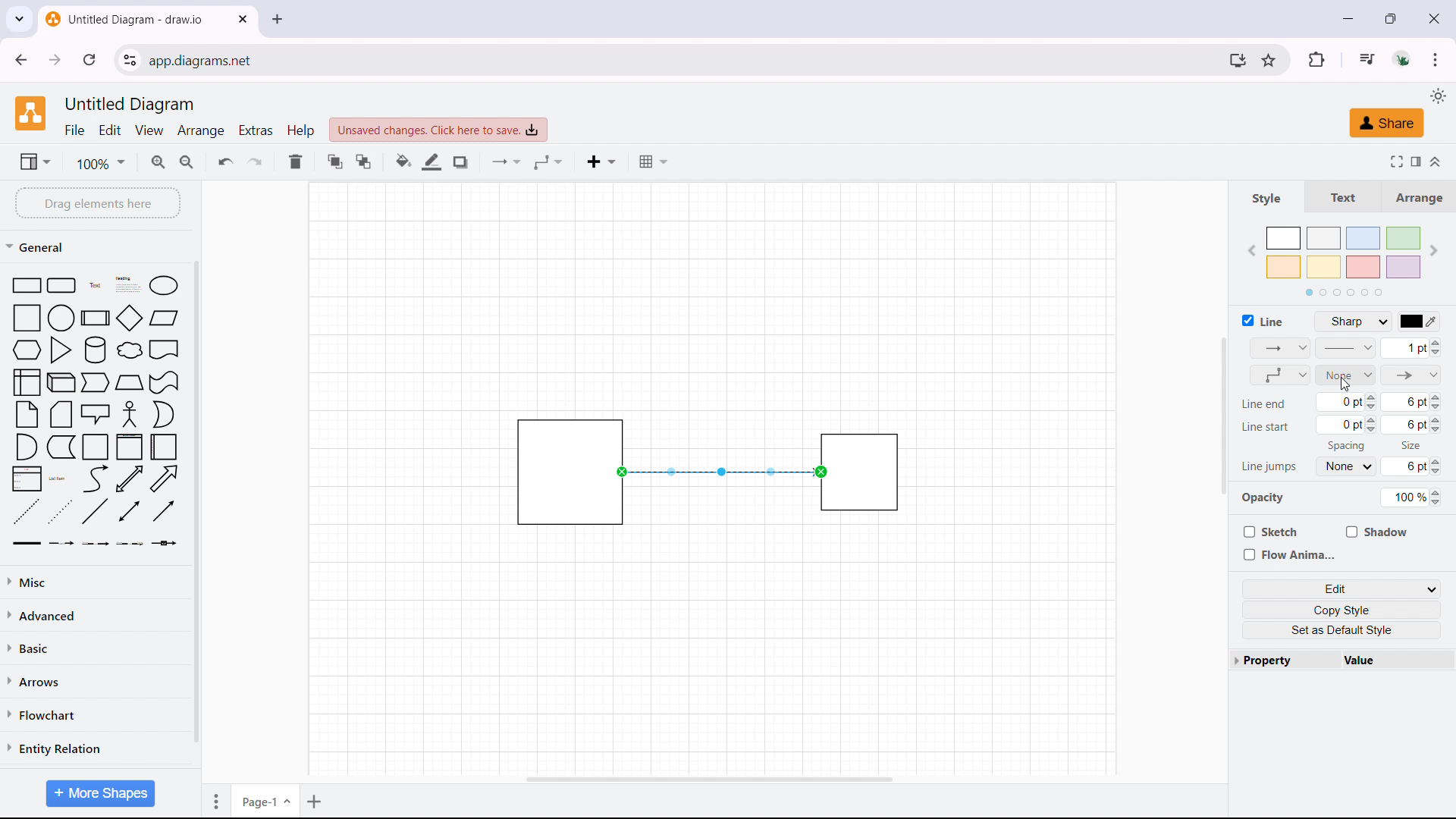  What do you see at coordinates (1267, 467) in the screenshot?
I see `Line jumps` at bounding box center [1267, 467].